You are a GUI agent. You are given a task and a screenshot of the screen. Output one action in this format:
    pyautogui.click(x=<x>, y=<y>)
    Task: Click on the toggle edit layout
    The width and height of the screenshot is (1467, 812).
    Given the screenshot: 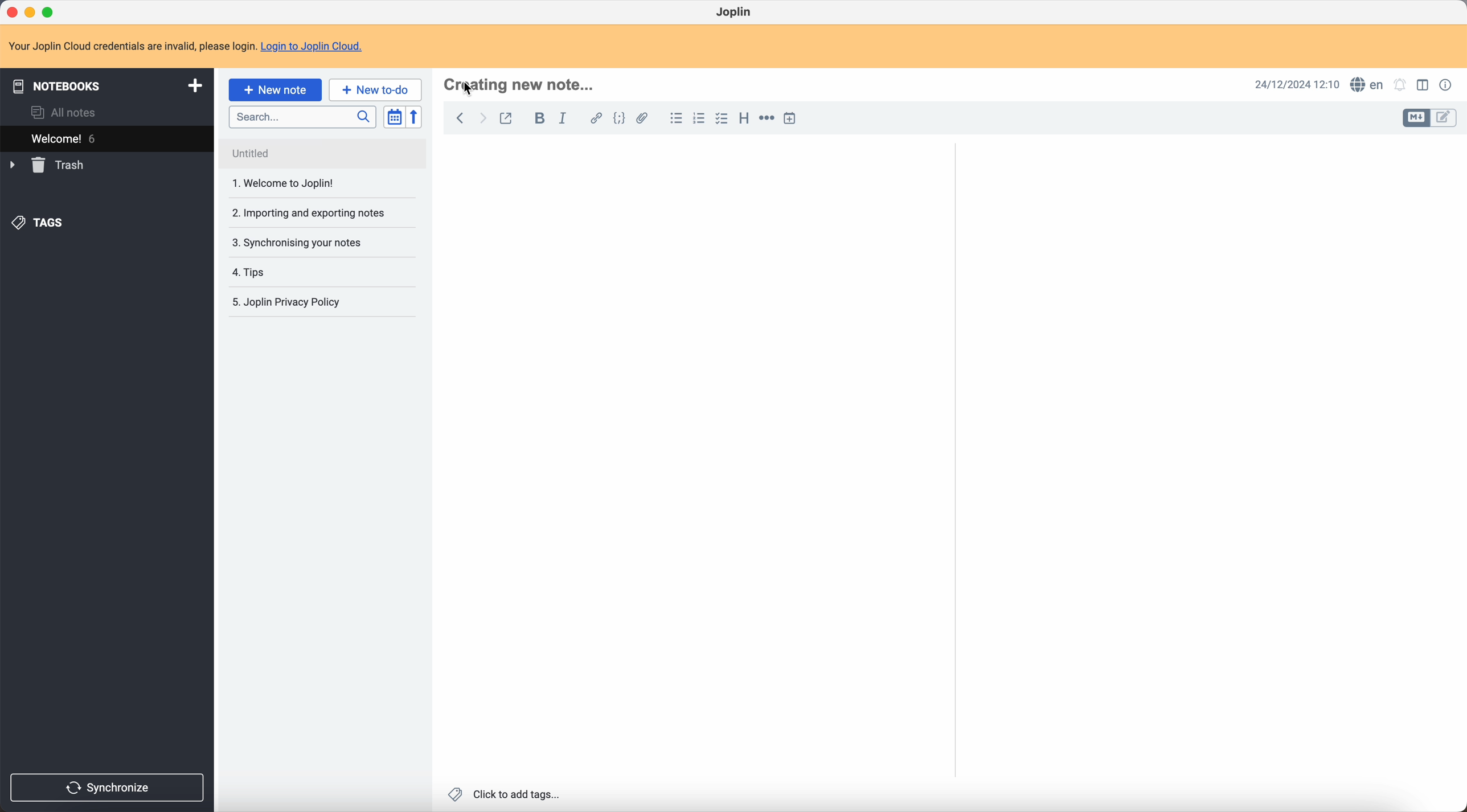 What is the action you would take?
    pyautogui.click(x=1416, y=118)
    